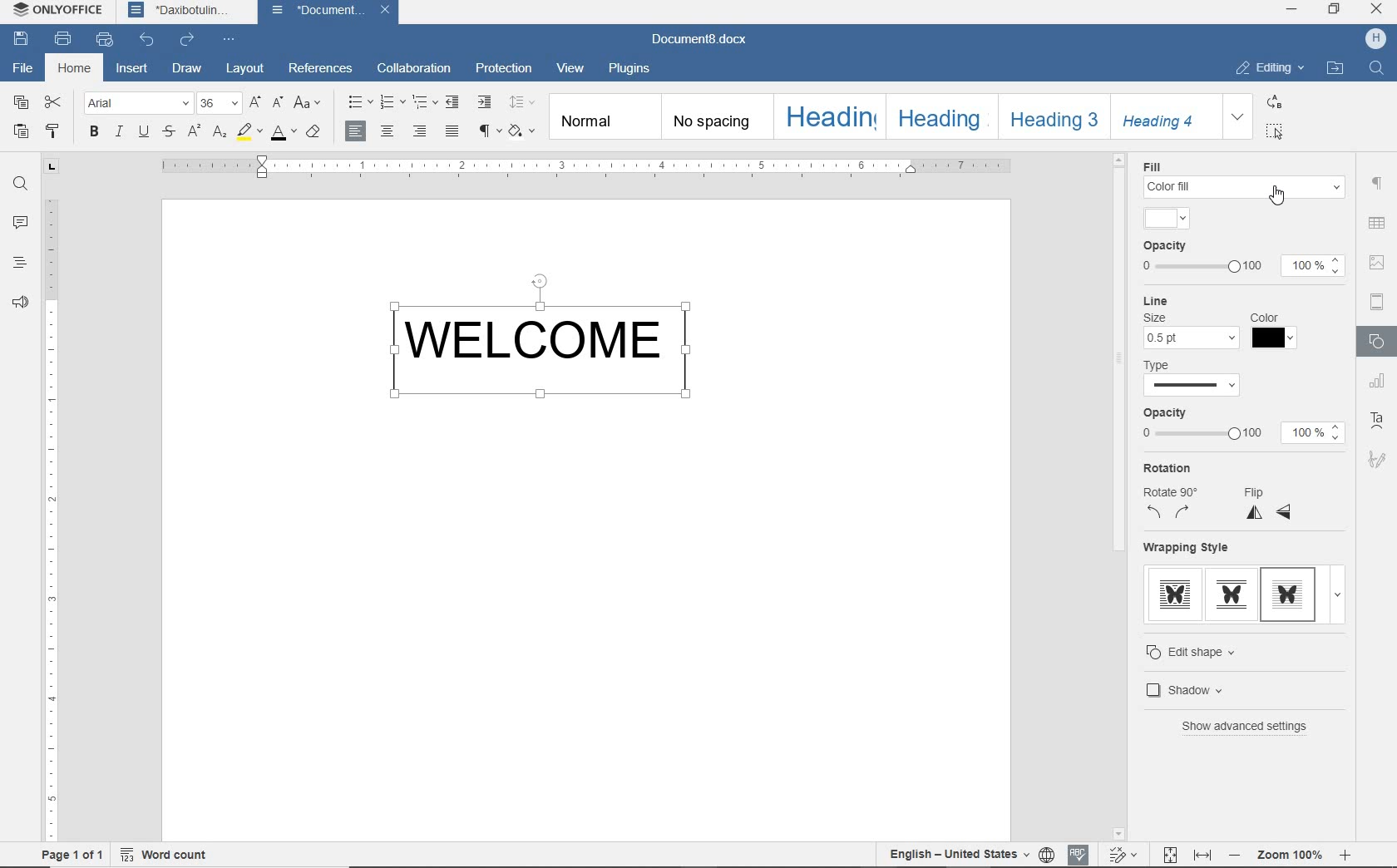  What do you see at coordinates (588, 166) in the screenshot?
I see `ruler` at bounding box center [588, 166].